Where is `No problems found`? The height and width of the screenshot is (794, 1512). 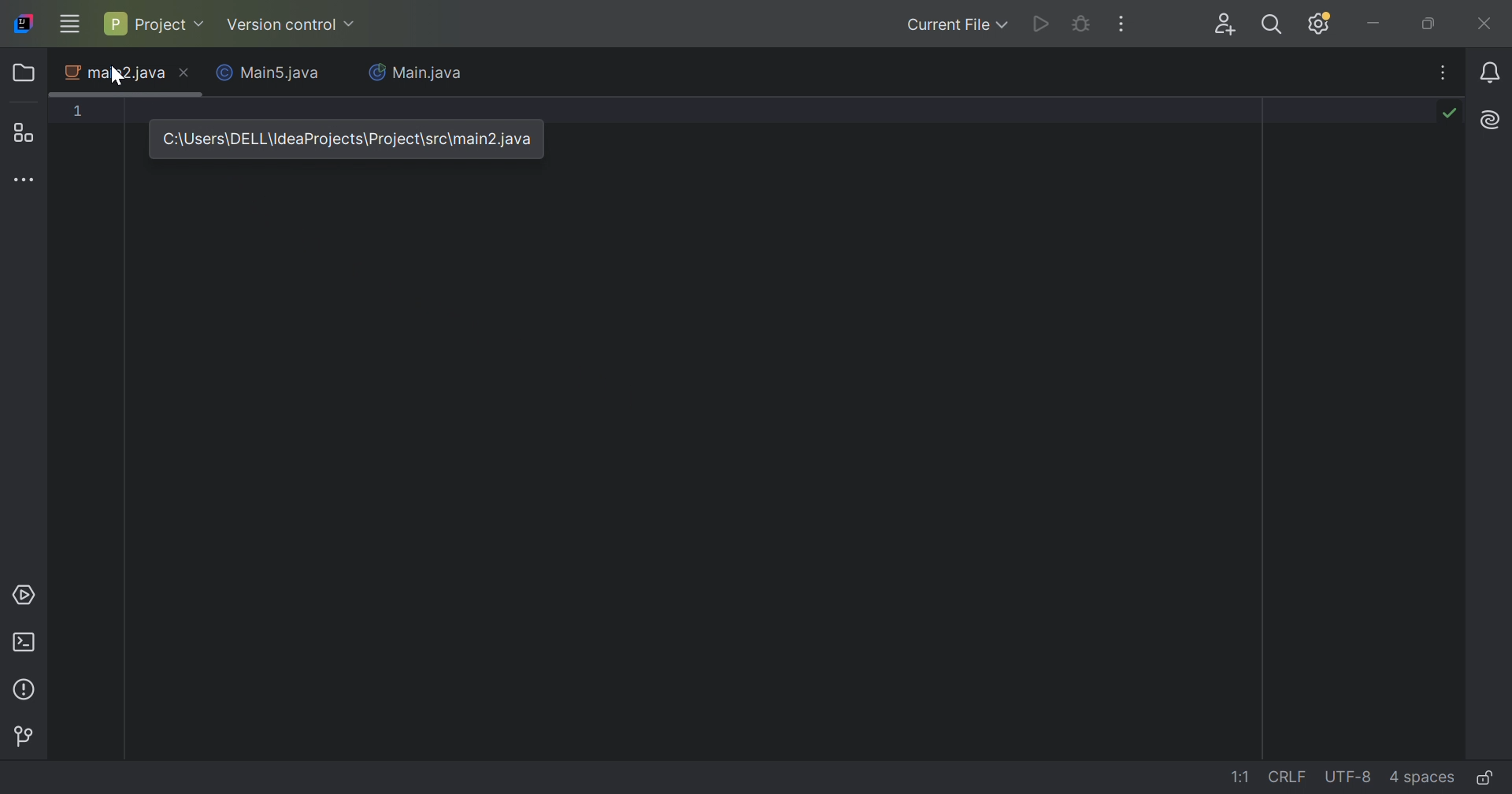
No problems found is located at coordinates (1448, 111).